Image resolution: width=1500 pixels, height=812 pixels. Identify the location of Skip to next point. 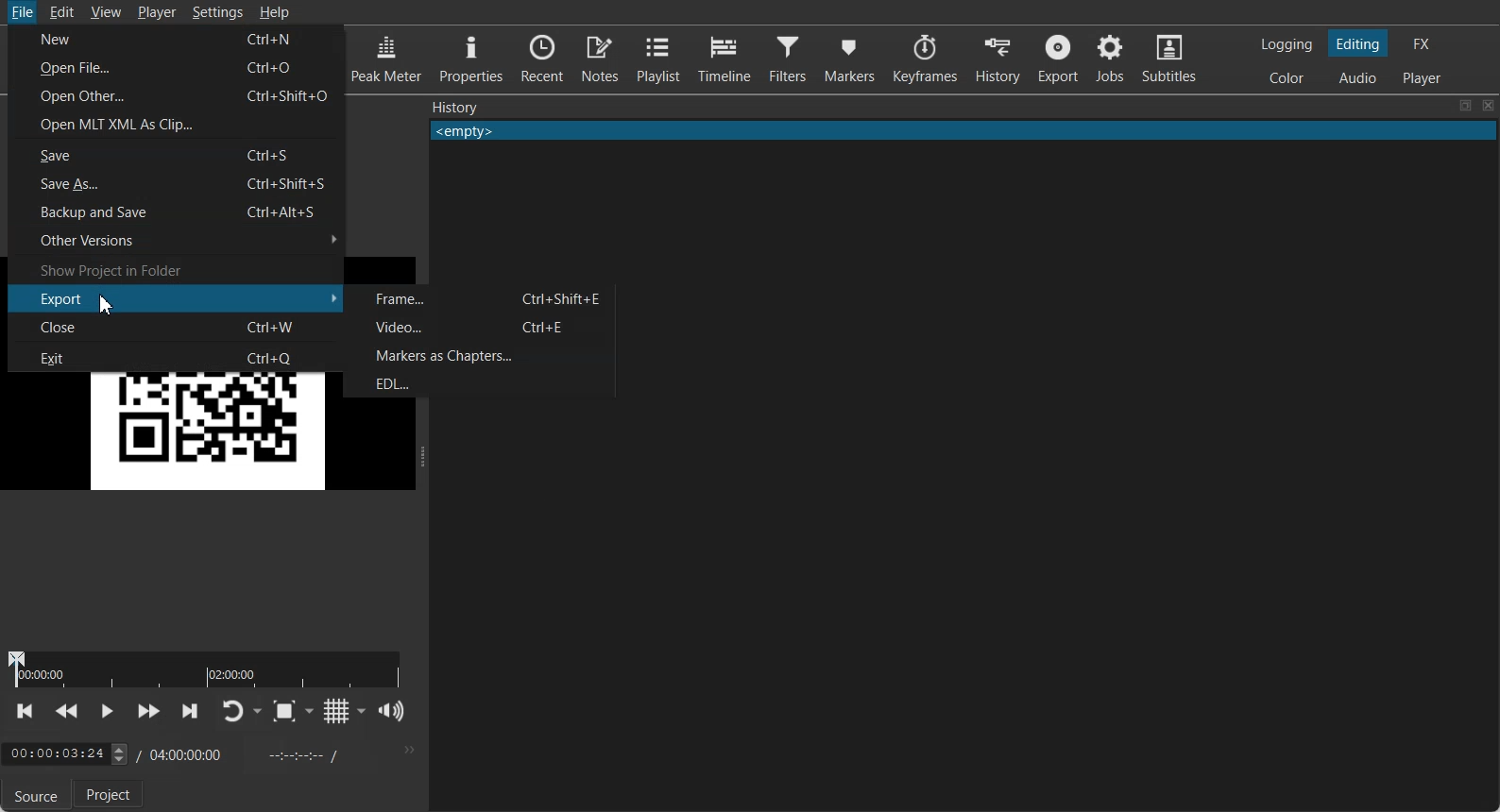
(191, 712).